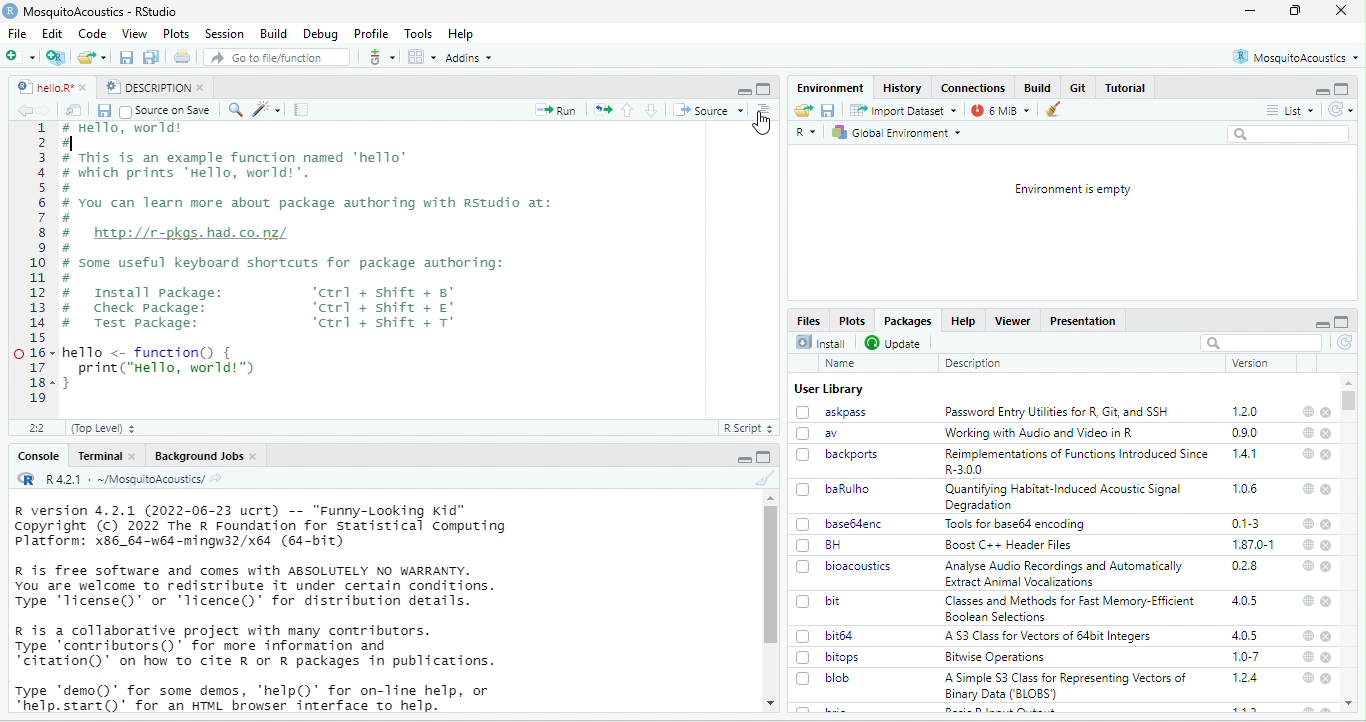 This screenshot has height=722, width=1366. Describe the element at coordinates (302, 110) in the screenshot. I see `compile report` at that location.